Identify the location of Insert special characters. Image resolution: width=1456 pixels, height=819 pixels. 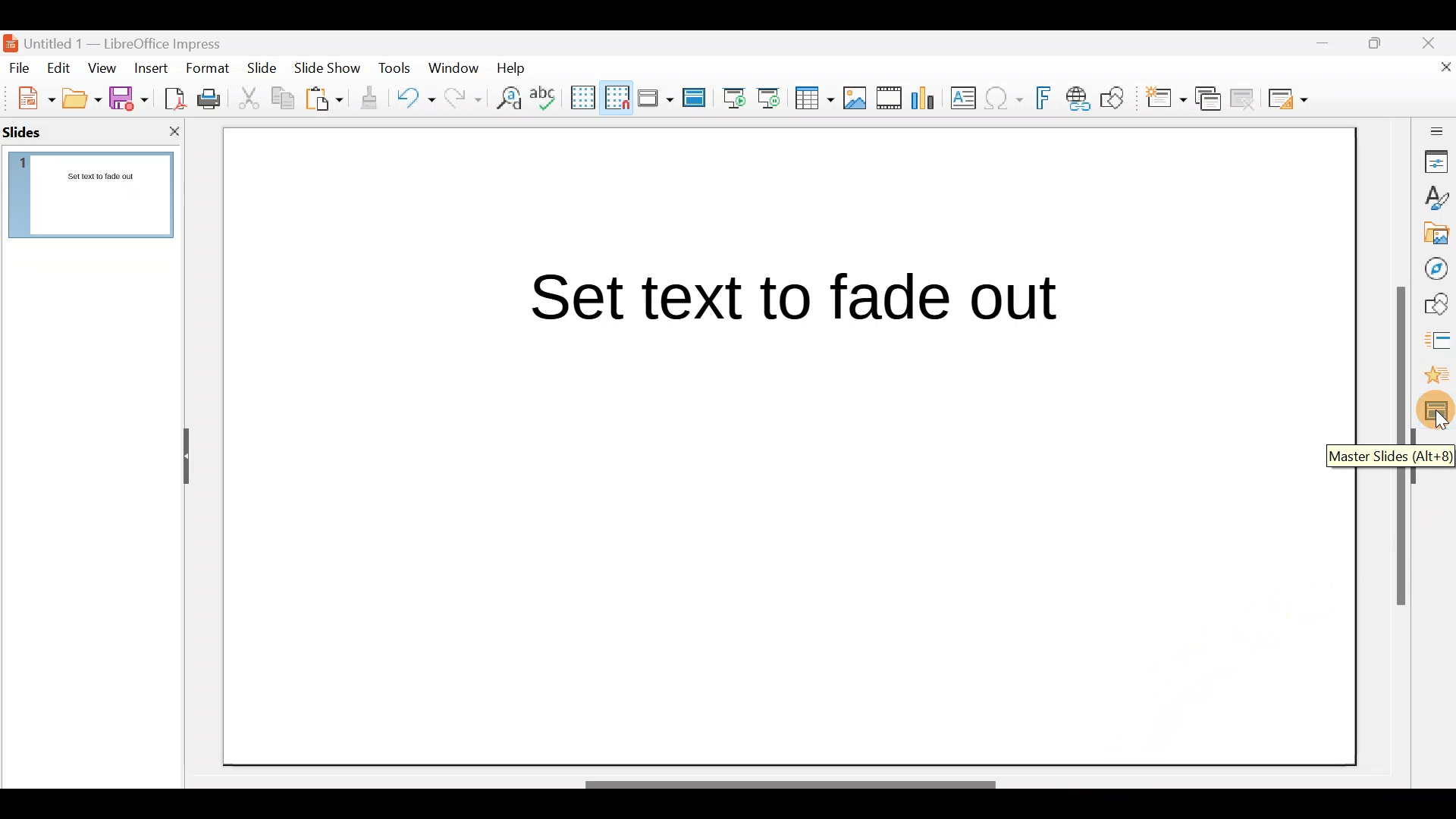
(1006, 100).